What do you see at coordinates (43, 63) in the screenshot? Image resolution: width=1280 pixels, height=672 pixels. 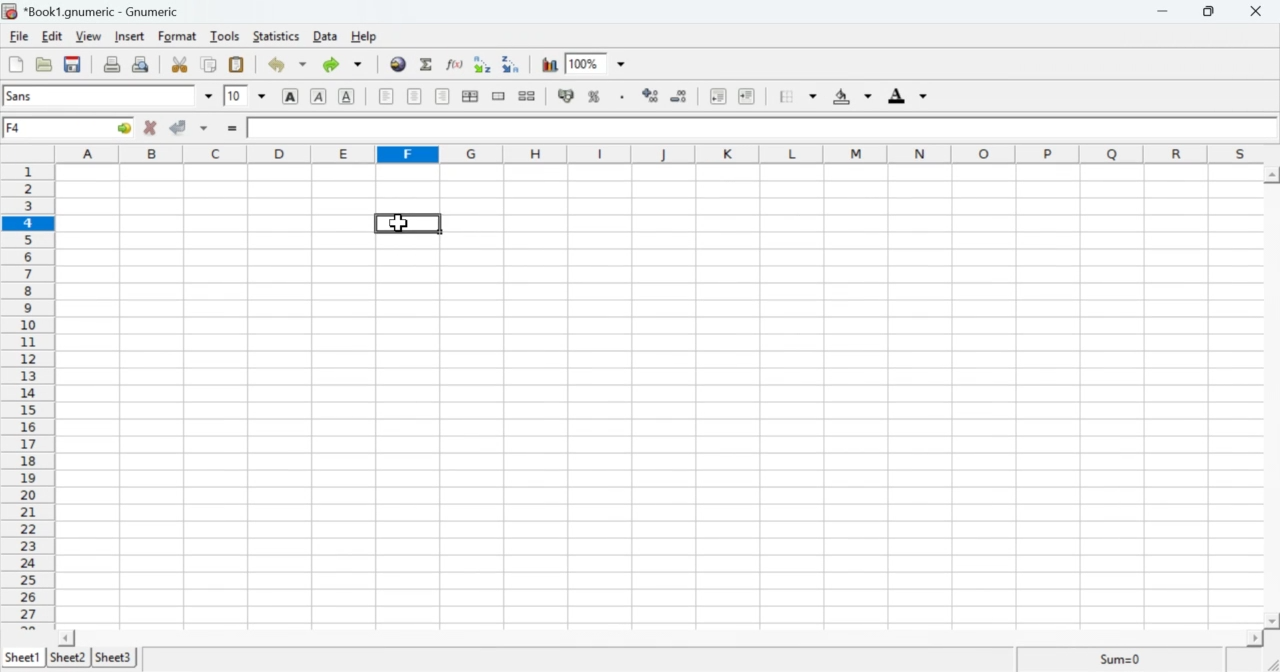 I see `Open file` at bounding box center [43, 63].